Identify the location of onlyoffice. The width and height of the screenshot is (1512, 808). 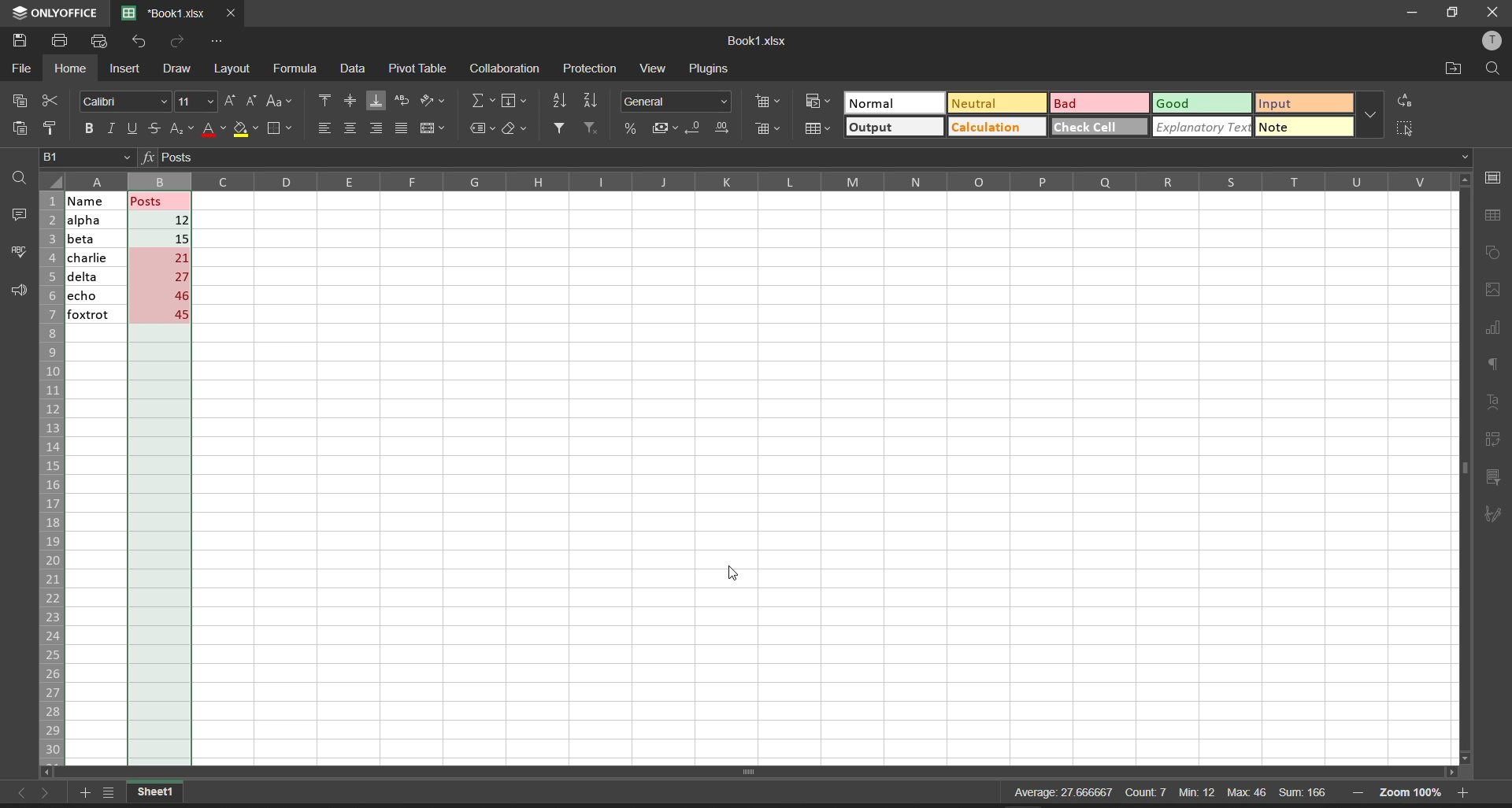
(58, 14).